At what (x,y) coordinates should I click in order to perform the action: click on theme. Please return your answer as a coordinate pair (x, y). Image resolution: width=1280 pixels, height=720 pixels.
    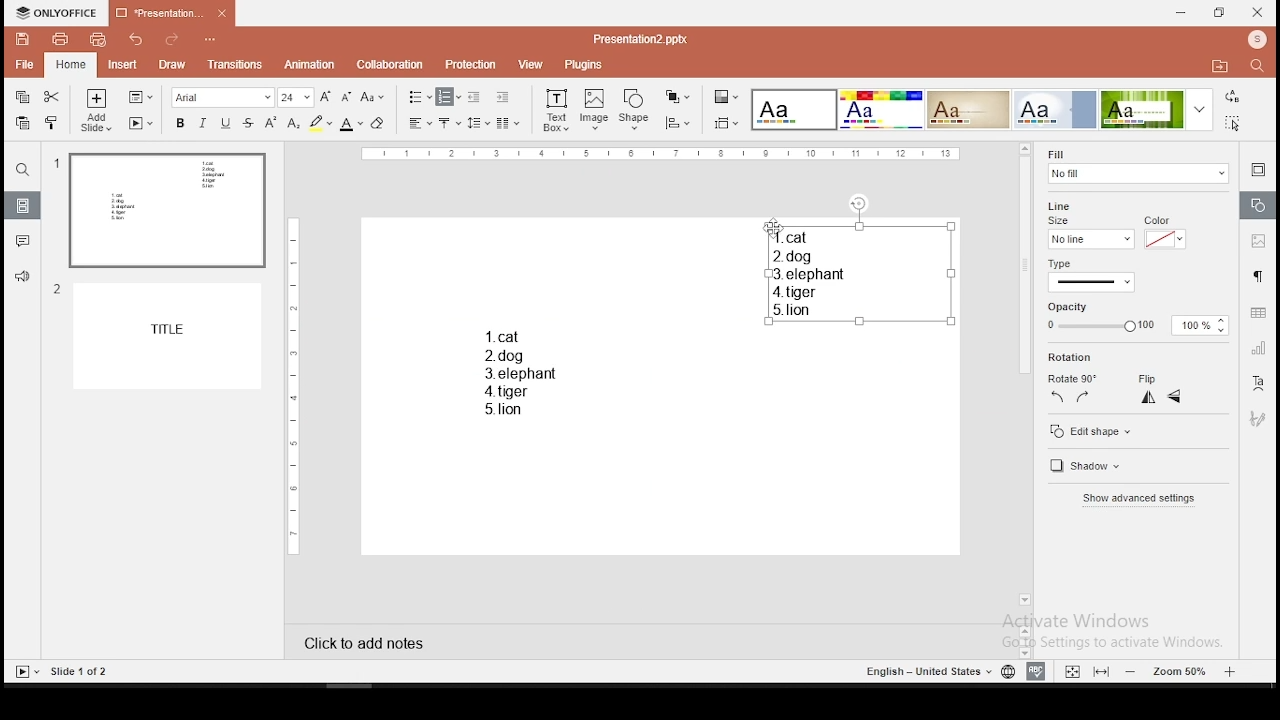
    Looking at the image, I should click on (881, 110).